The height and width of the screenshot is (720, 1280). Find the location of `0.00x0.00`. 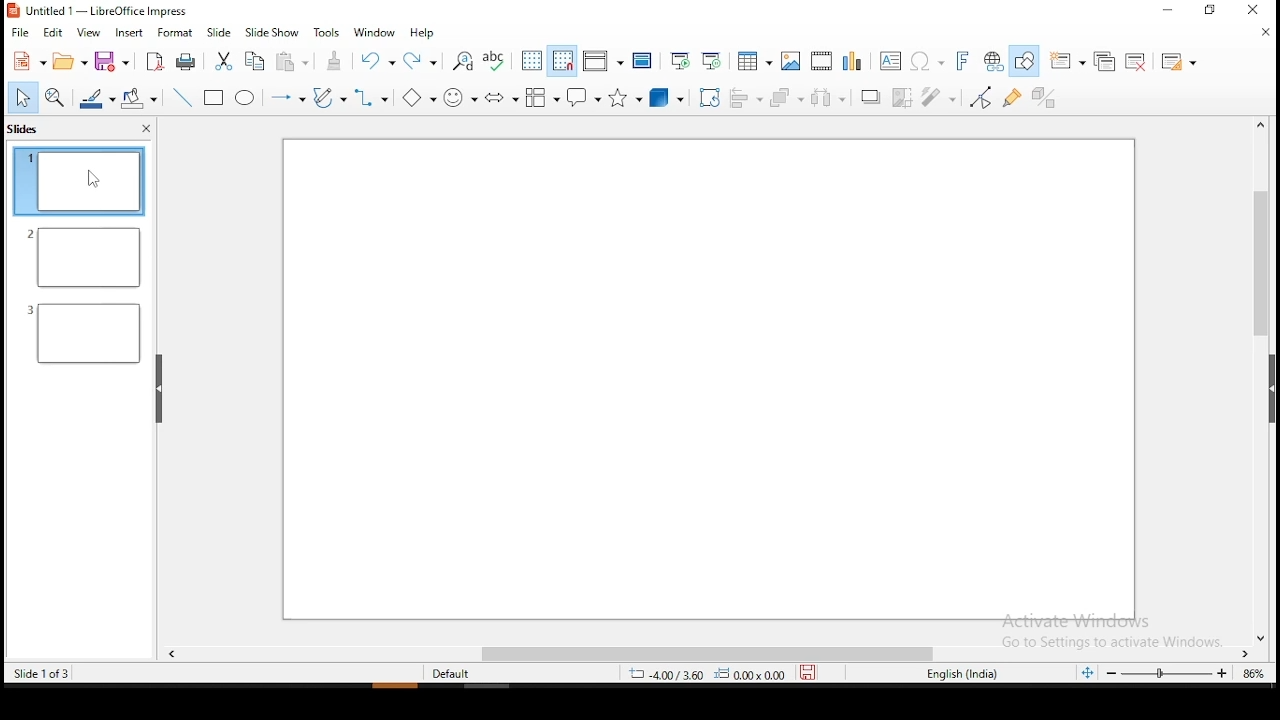

0.00x0.00 is located at coordinates (751, 675).